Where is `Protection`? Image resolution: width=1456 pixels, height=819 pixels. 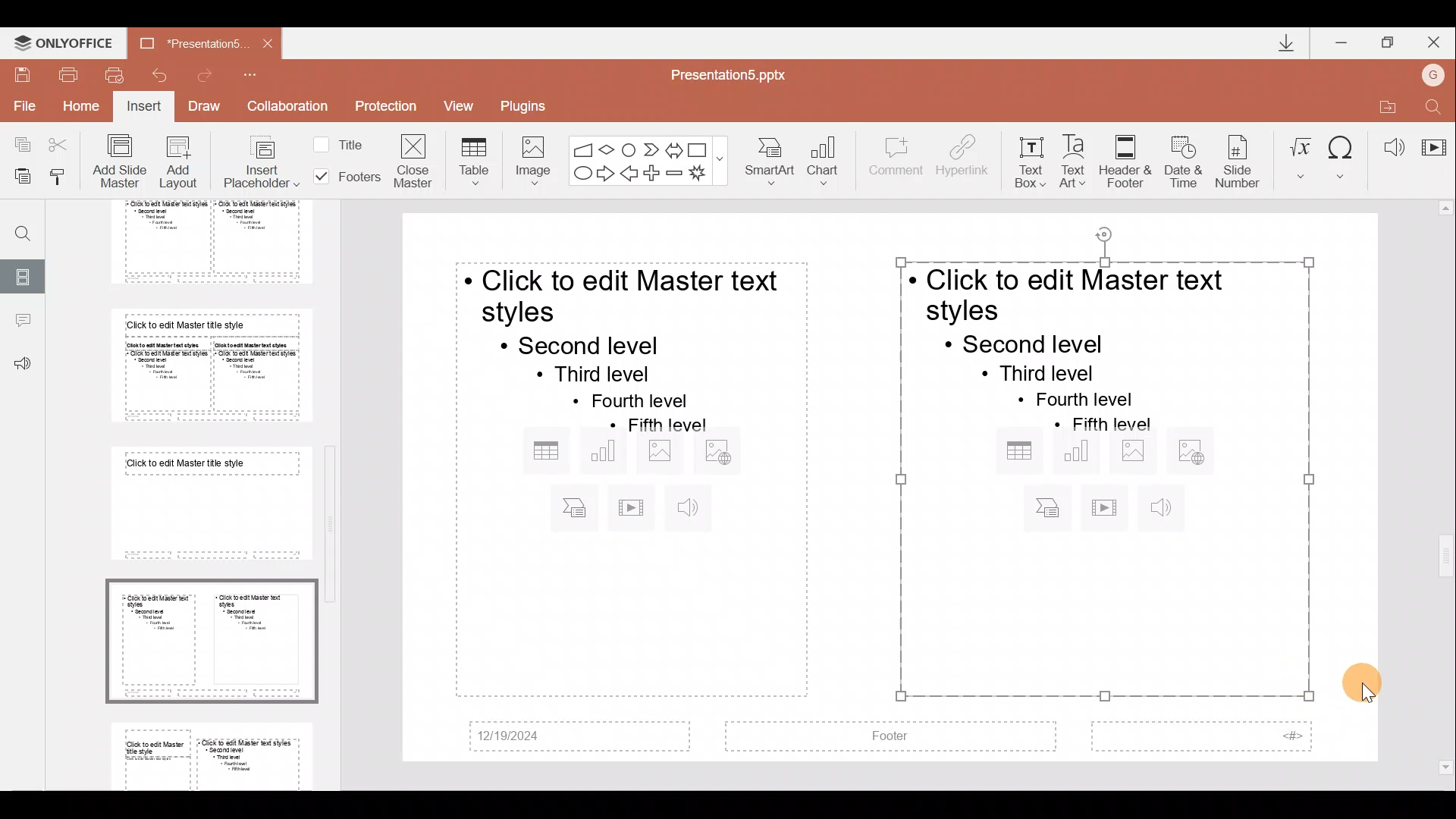 Protection is located at coordinates (385, 108).